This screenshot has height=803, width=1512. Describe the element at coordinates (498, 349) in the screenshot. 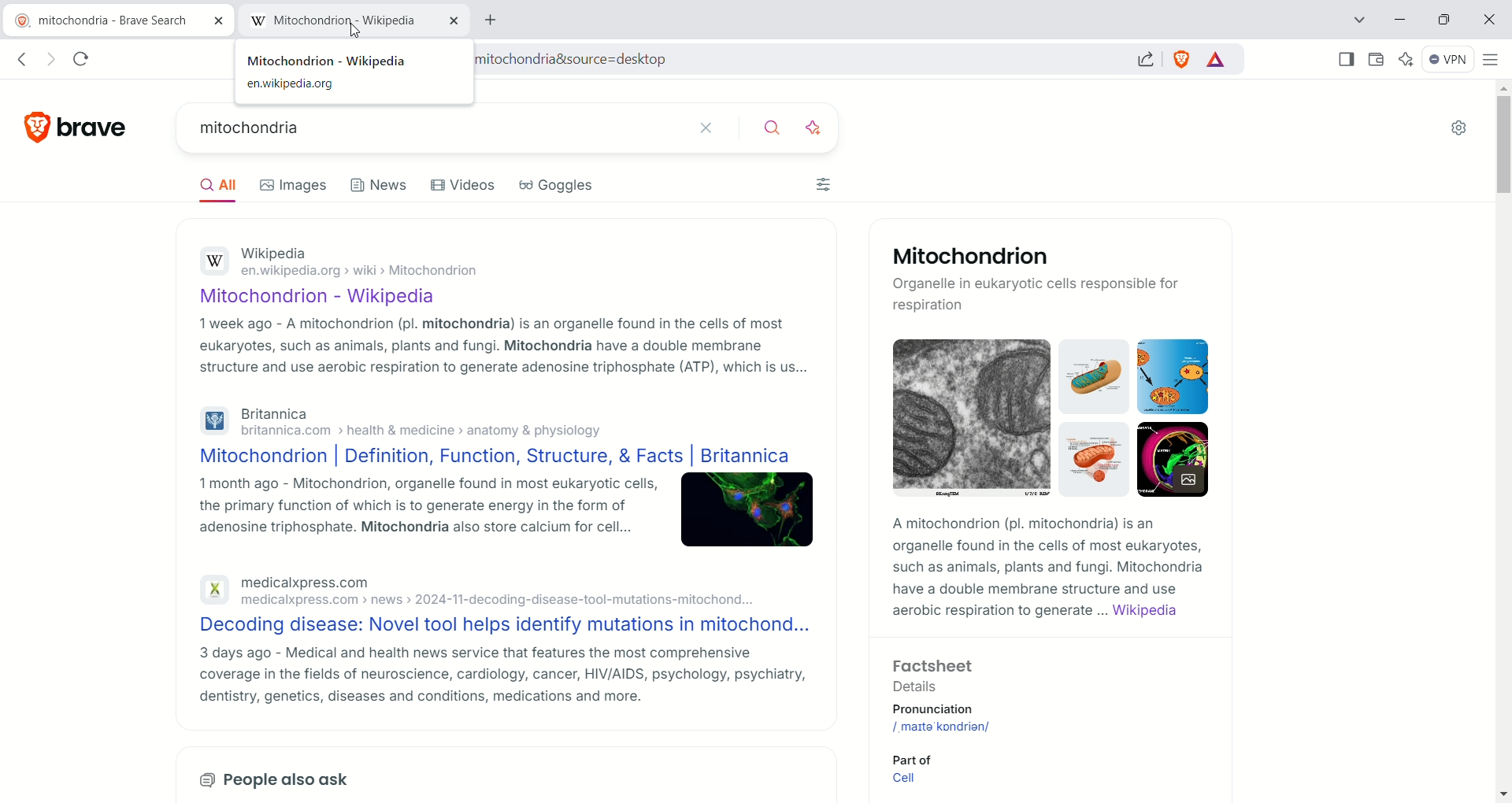

I see `1 week ago - A mitochondrion (pl. mitochondria) is an organelle found in the cells of most
eukaryotes, such as animals, plants and fungi. Mitochondria have a double membrane
structure and use aerobic respiration to generate adenosine triphosphate (ATP), which is us...` at that location.